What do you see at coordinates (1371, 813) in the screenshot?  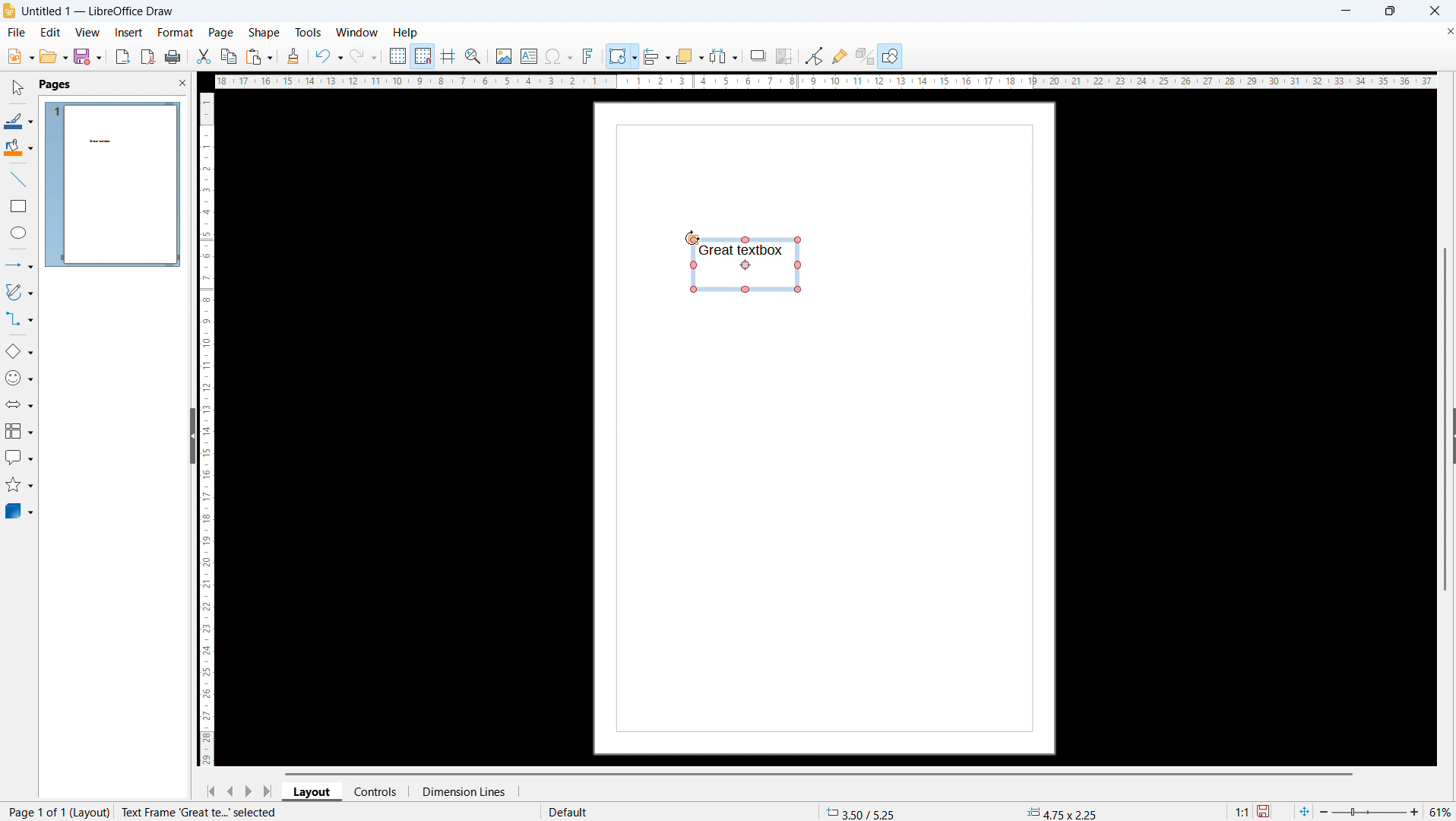 I see `Zoom slider` at bounding box center [1371, 813].